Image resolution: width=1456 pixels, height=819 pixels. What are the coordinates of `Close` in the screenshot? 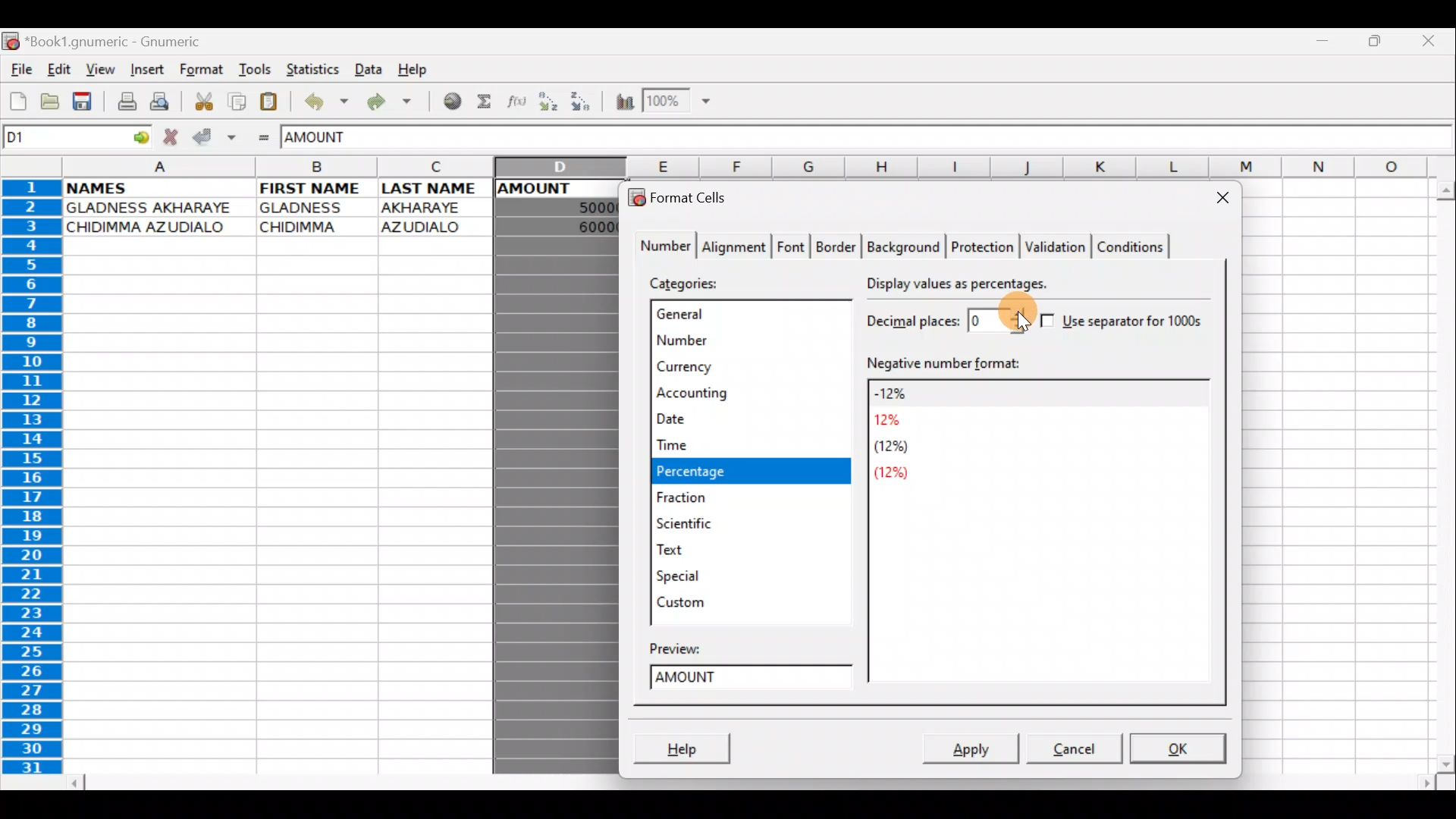 It's located at (1218, 197).